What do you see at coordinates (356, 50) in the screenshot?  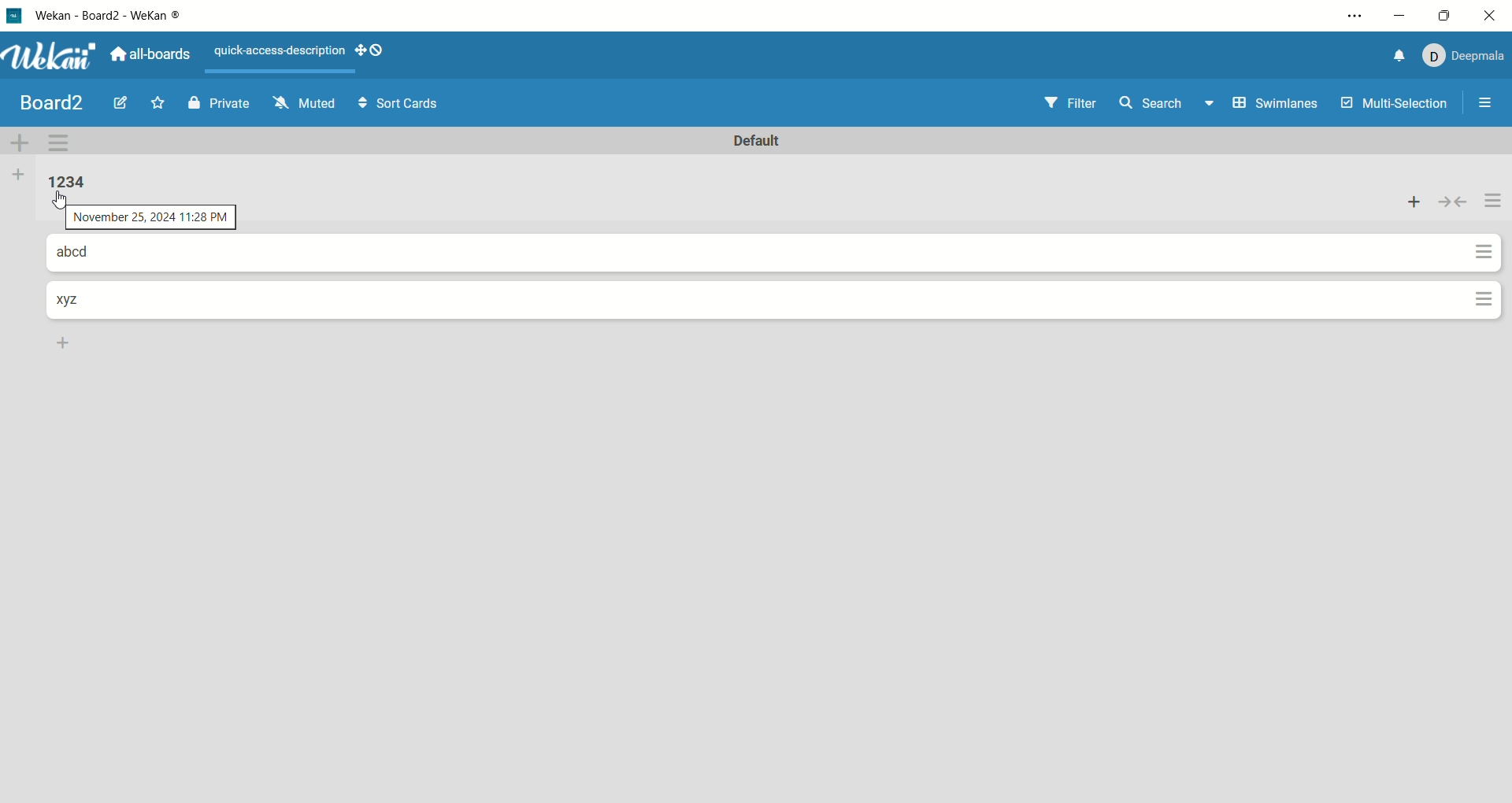 I see `show-desktp-drag-handles` at bounding box center [356, 50].